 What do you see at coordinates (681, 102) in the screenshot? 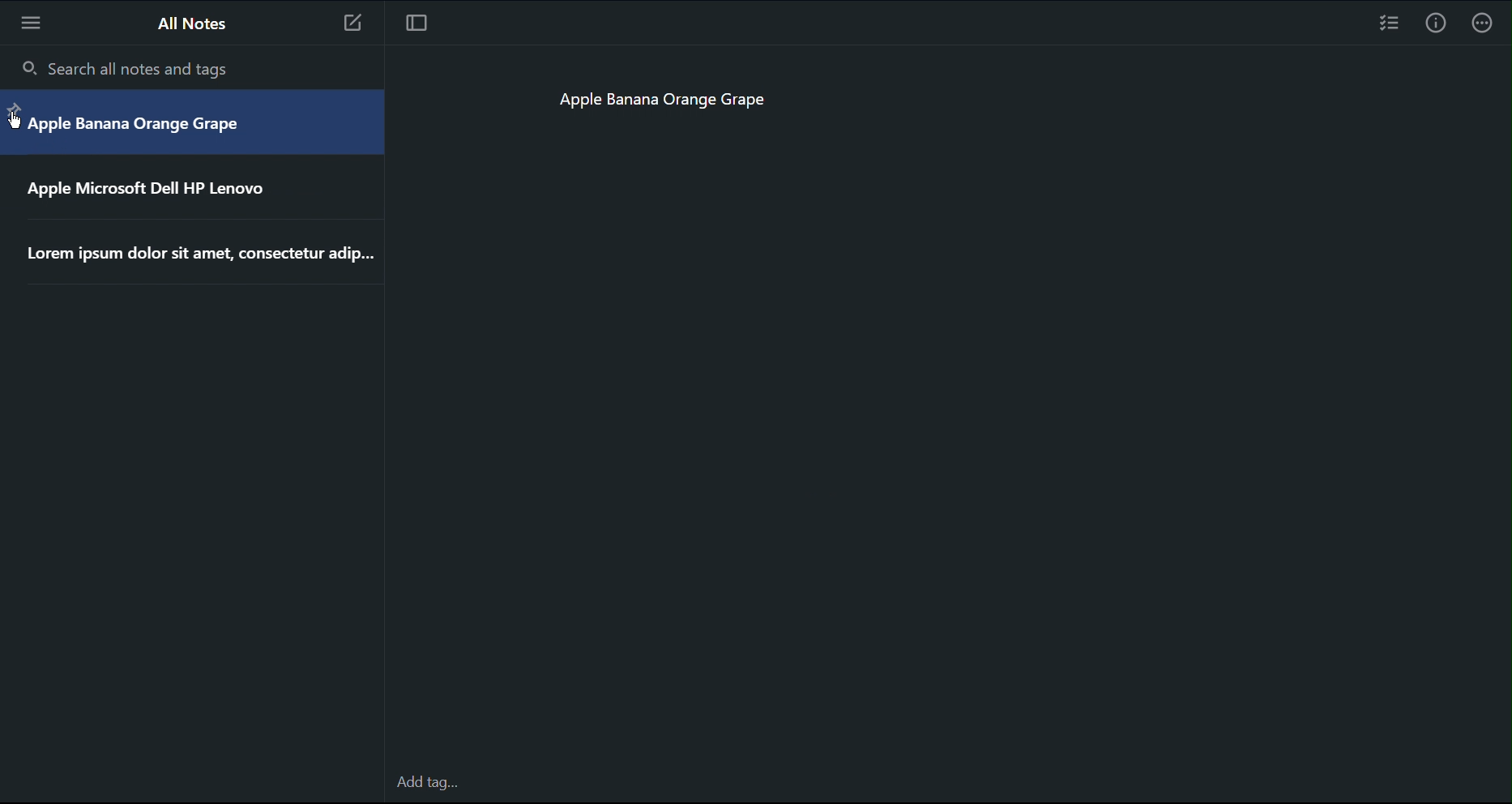
I see `Apple Banana Orange Grape` at bounding box center [681, 102].